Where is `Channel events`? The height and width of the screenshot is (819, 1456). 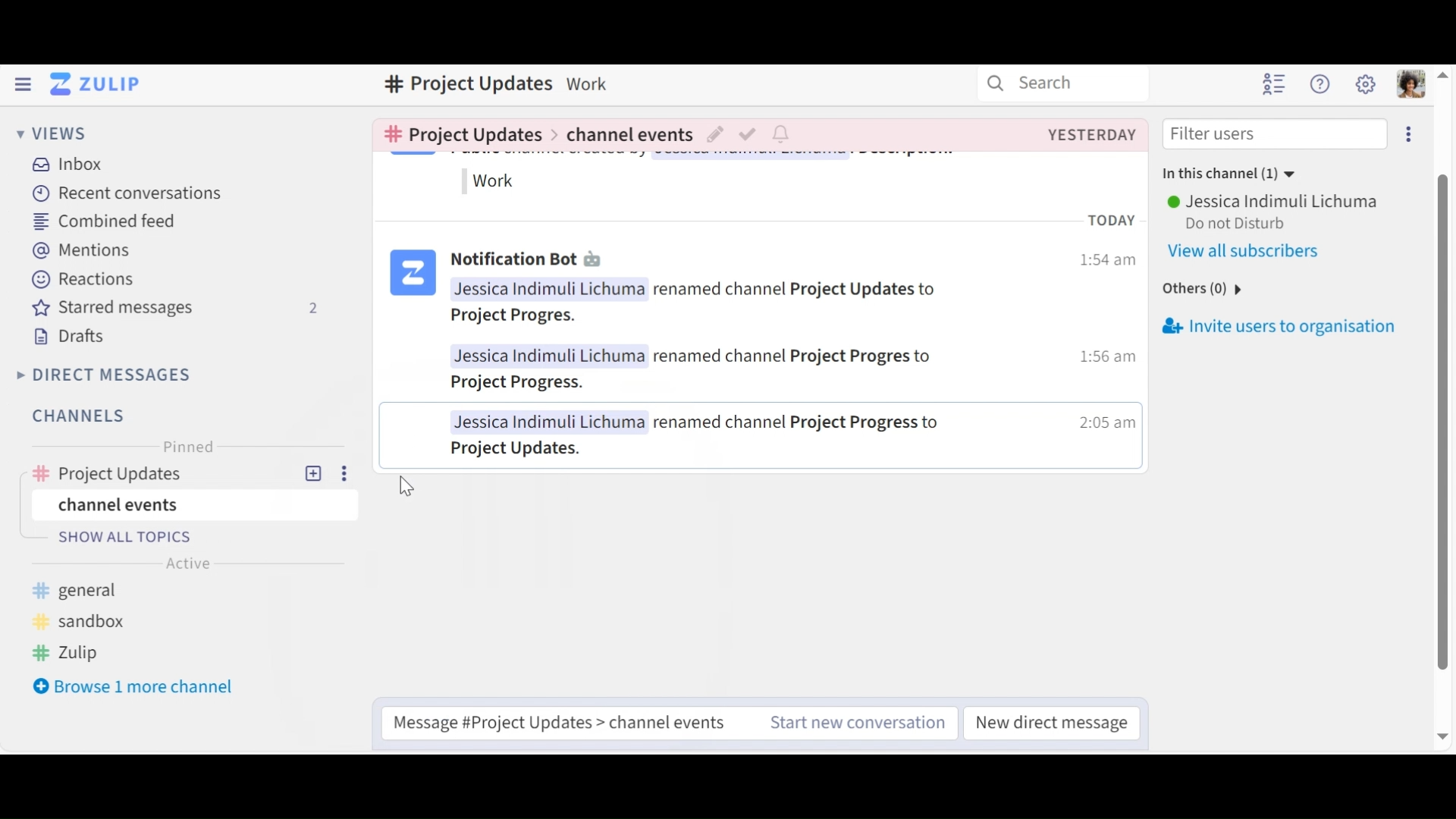 Channel events is located at coordinates (626, 138).